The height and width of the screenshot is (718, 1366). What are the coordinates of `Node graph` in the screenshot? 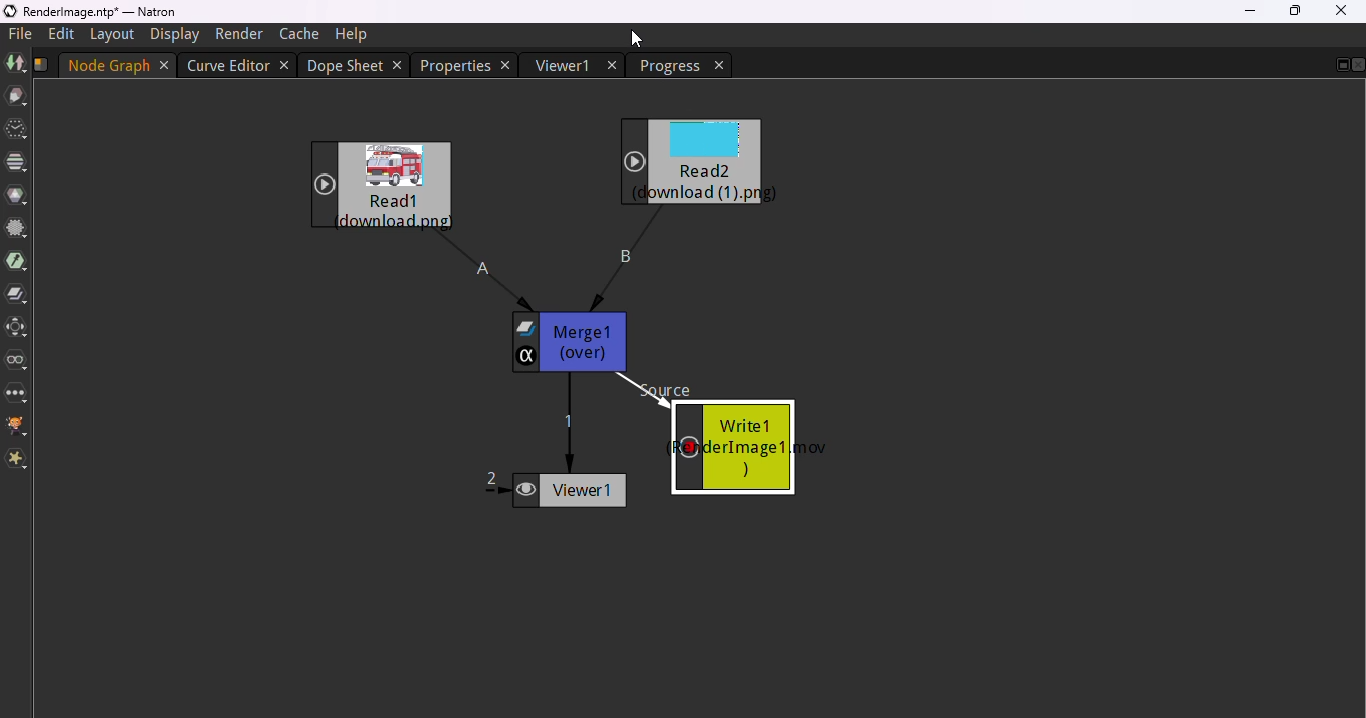 It's located at (104, 65).